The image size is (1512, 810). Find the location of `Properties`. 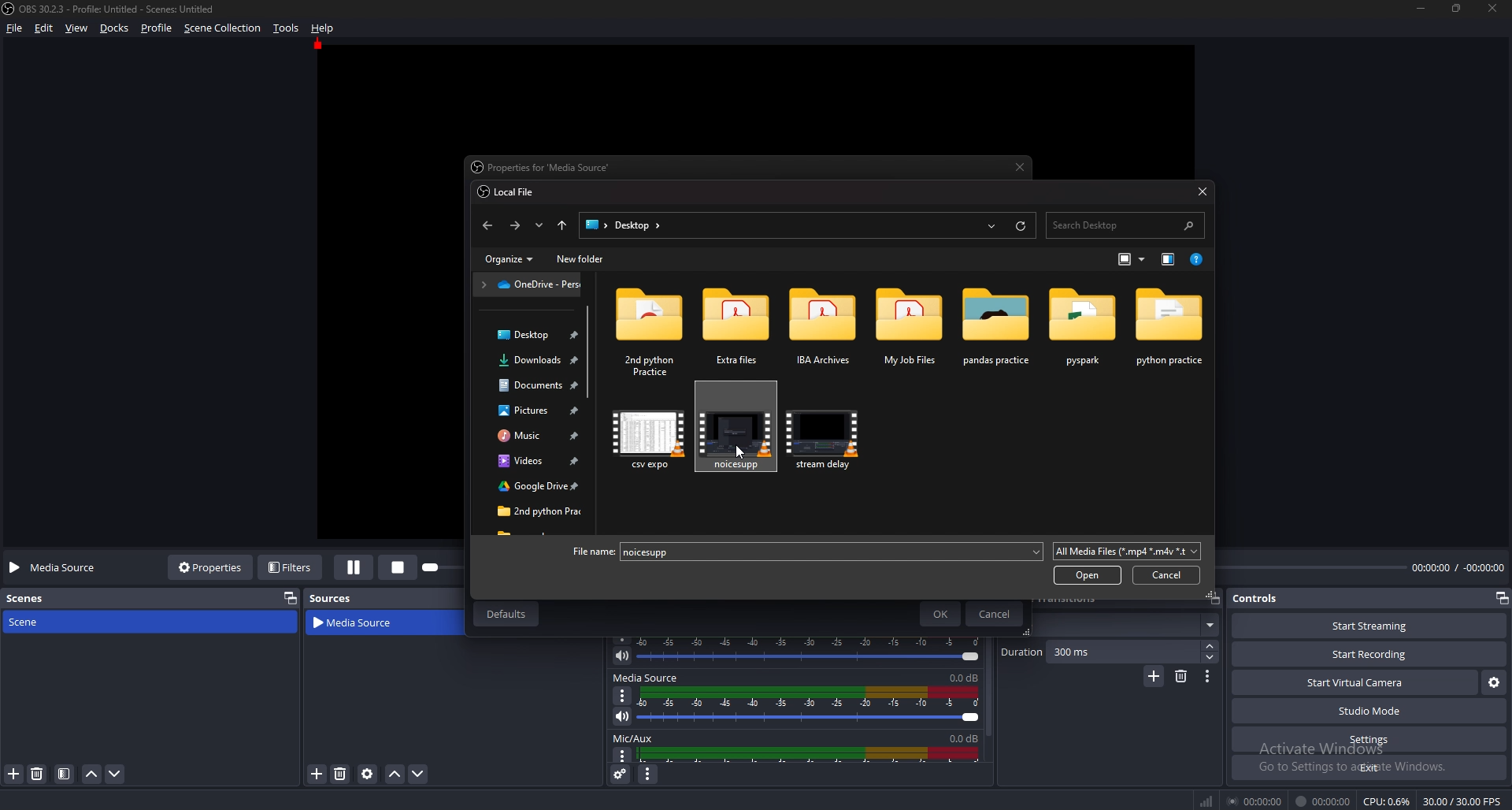

Properties is located at coordinates (210, 567).